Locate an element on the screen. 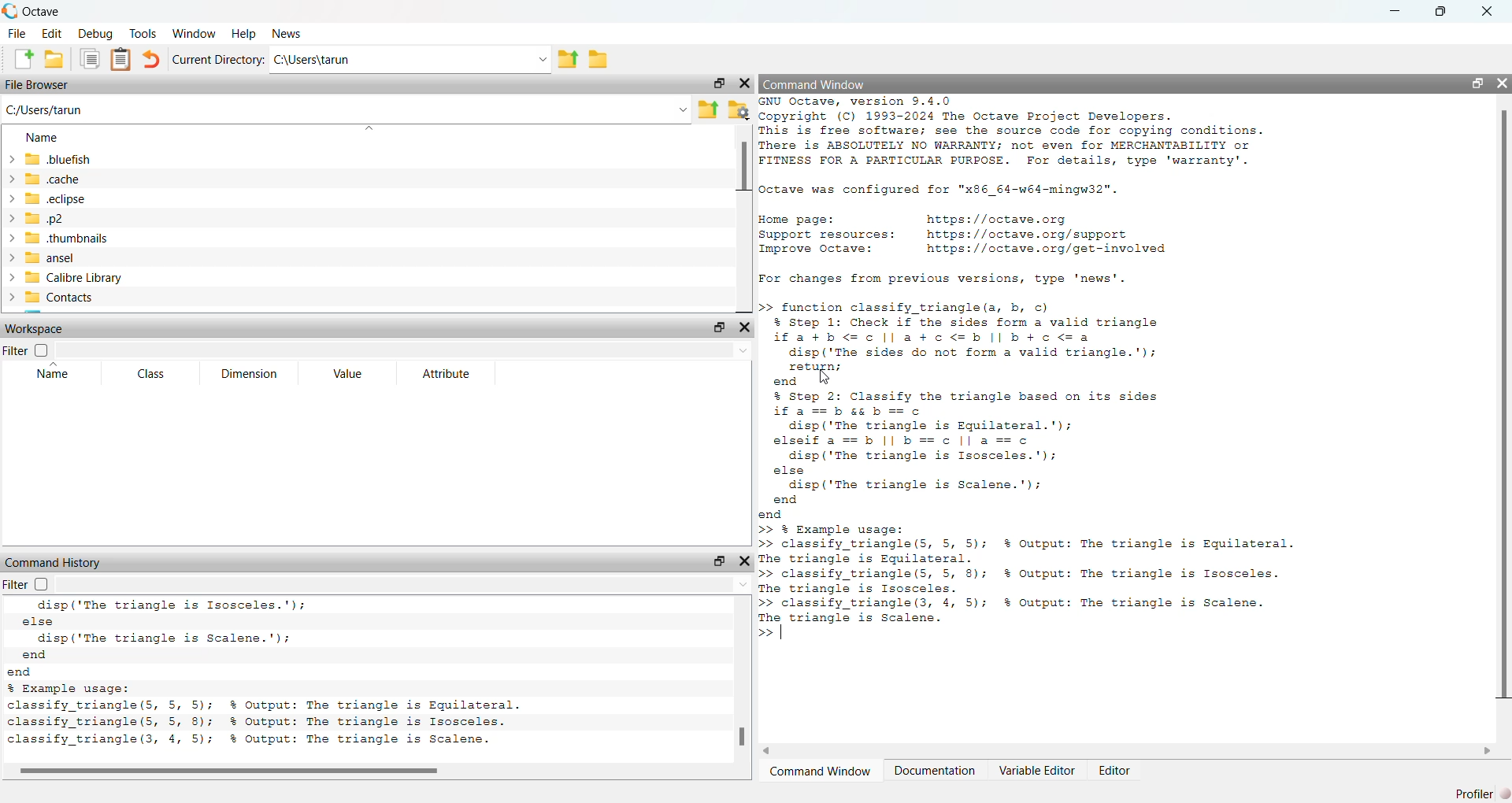 This screenshot has height=803, width=1512. hide widget is located at coordinates (746, 83).